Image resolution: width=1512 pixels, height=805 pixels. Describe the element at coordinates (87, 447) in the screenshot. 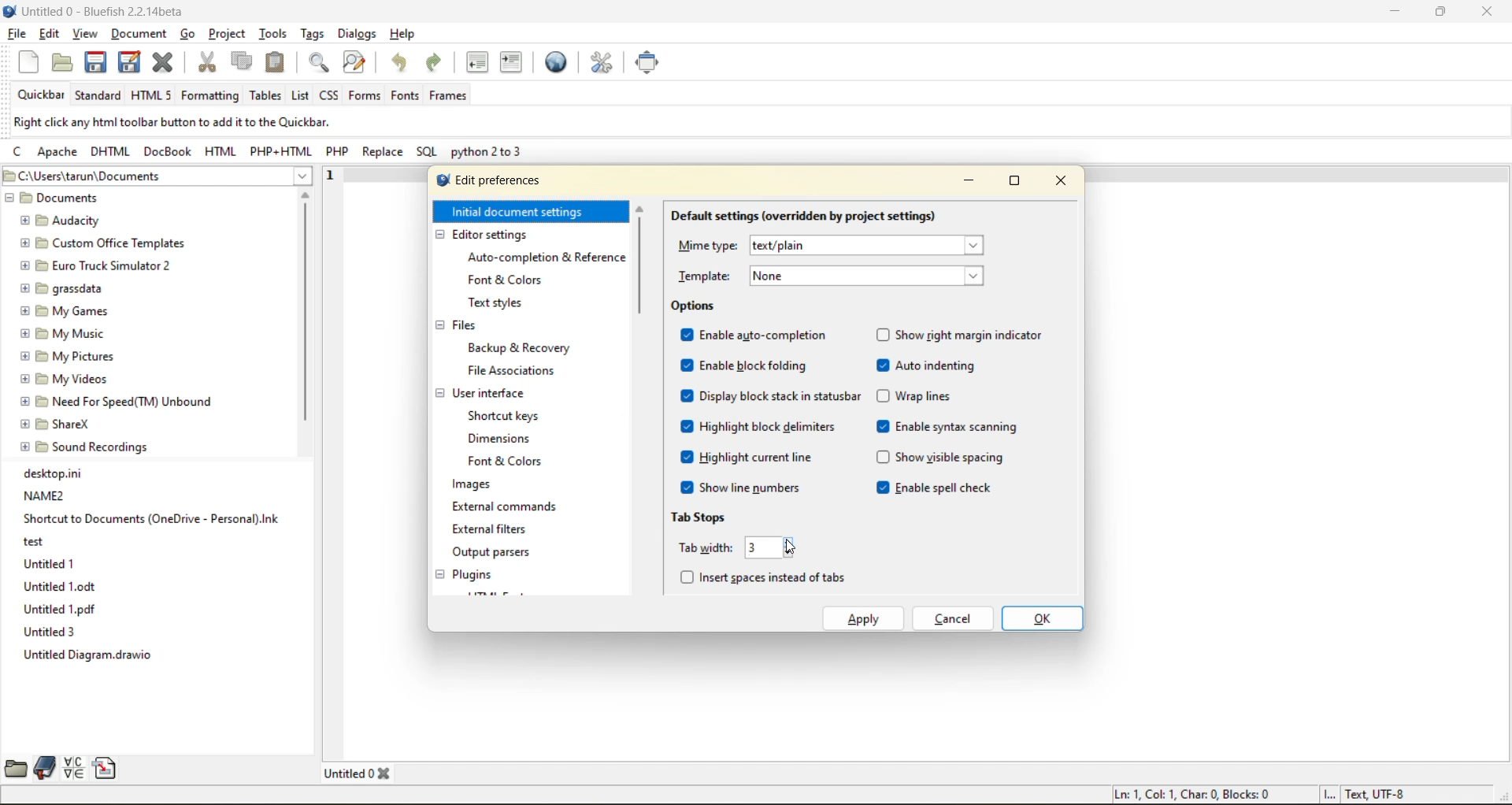

I see `@ [E9 Sound Recordings` at that location.